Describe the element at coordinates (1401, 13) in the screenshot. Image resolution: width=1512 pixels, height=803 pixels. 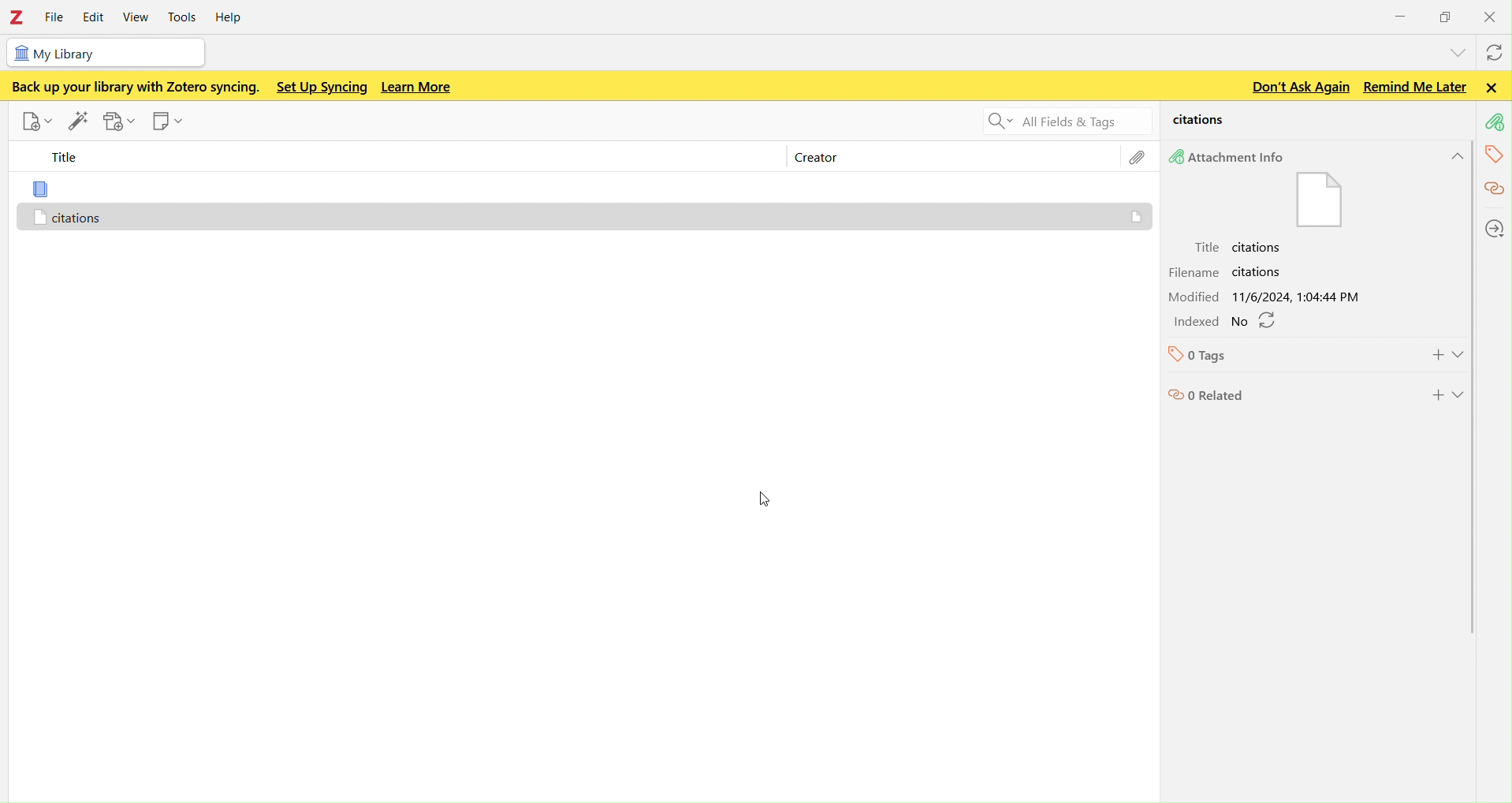
I see `minimize` at that location.